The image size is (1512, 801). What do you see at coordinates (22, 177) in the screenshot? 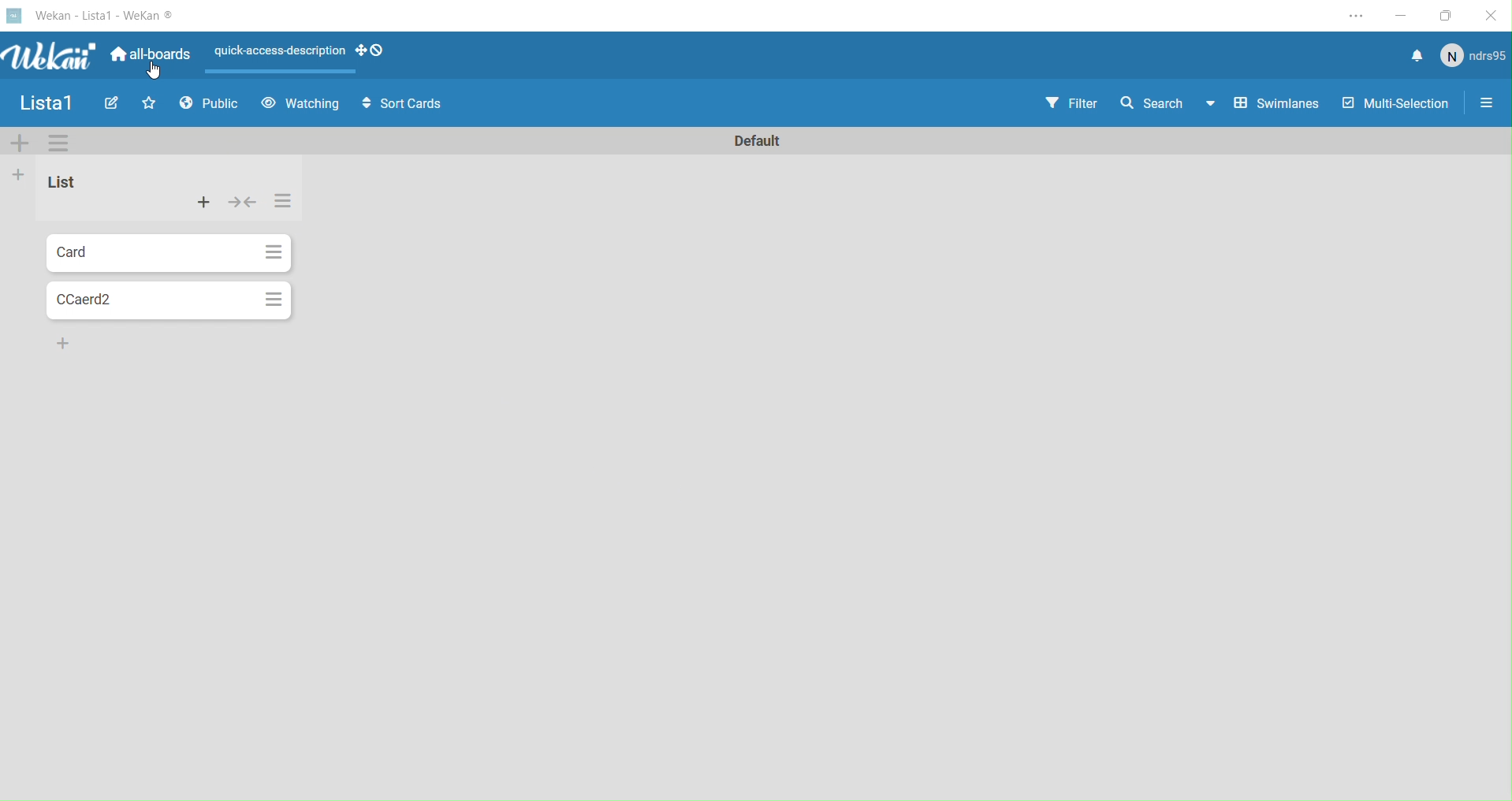
I see `Add` at bounding box center [22, 177].